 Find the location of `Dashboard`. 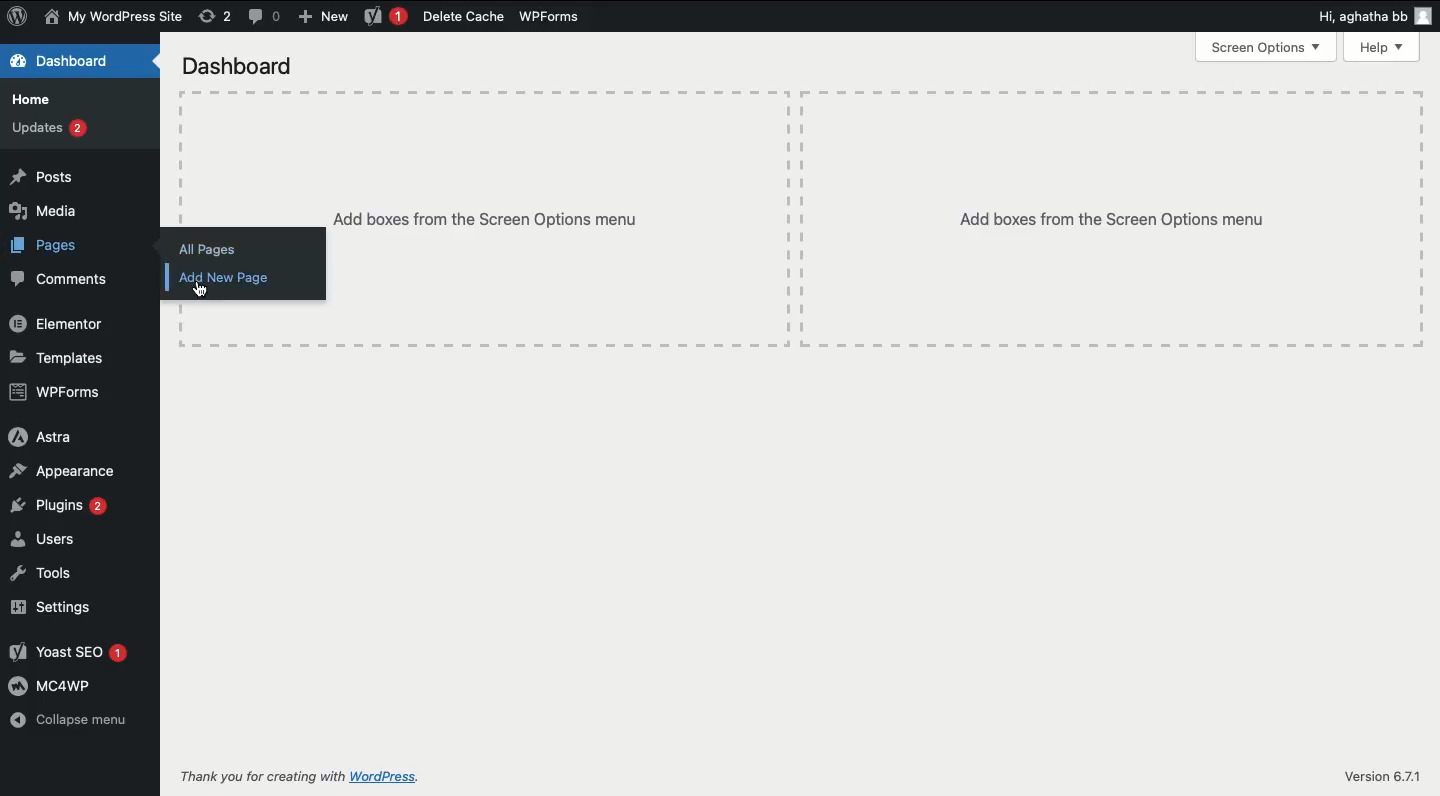

Dashboard is located at coordinates (66, 62).